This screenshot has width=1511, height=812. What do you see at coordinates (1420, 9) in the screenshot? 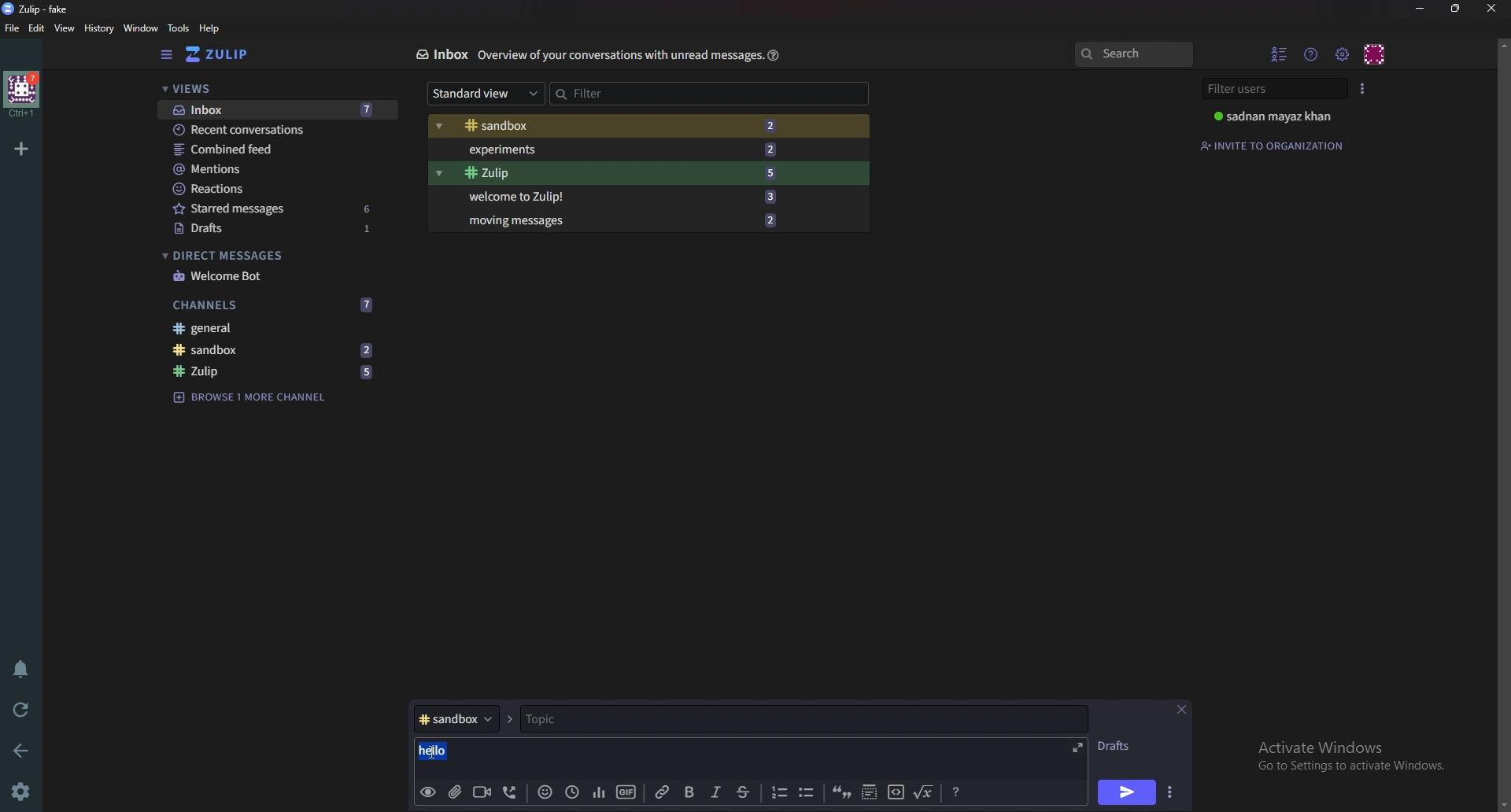
I see `Minimize` at bounding box center [1420, 9].